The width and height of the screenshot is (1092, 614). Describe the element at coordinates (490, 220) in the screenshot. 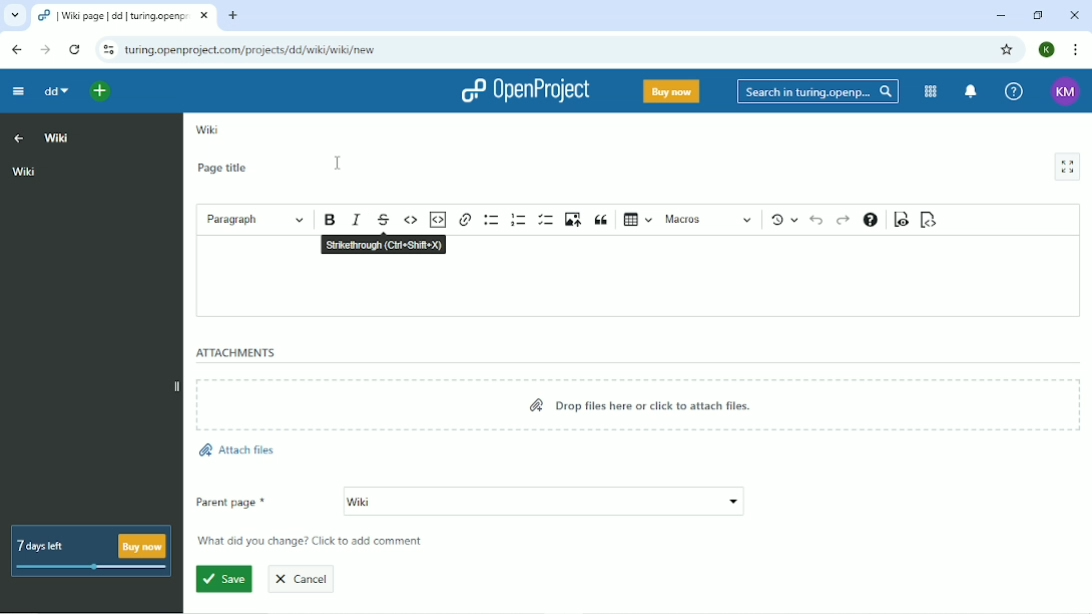

I see `Bulleted list` at that location.